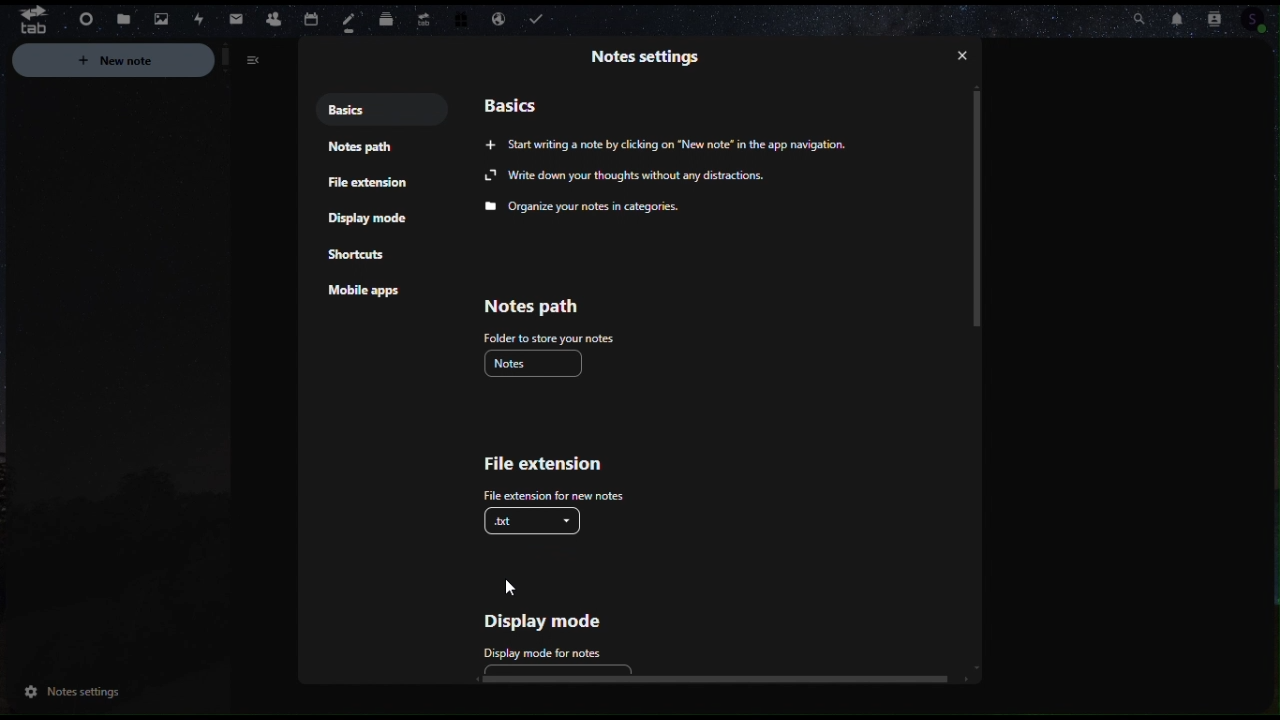 This screenshot has height=720, width=1280. Describe the element at coordinates (687, 146) in the screenshot. I see `Writing a note` at that location.